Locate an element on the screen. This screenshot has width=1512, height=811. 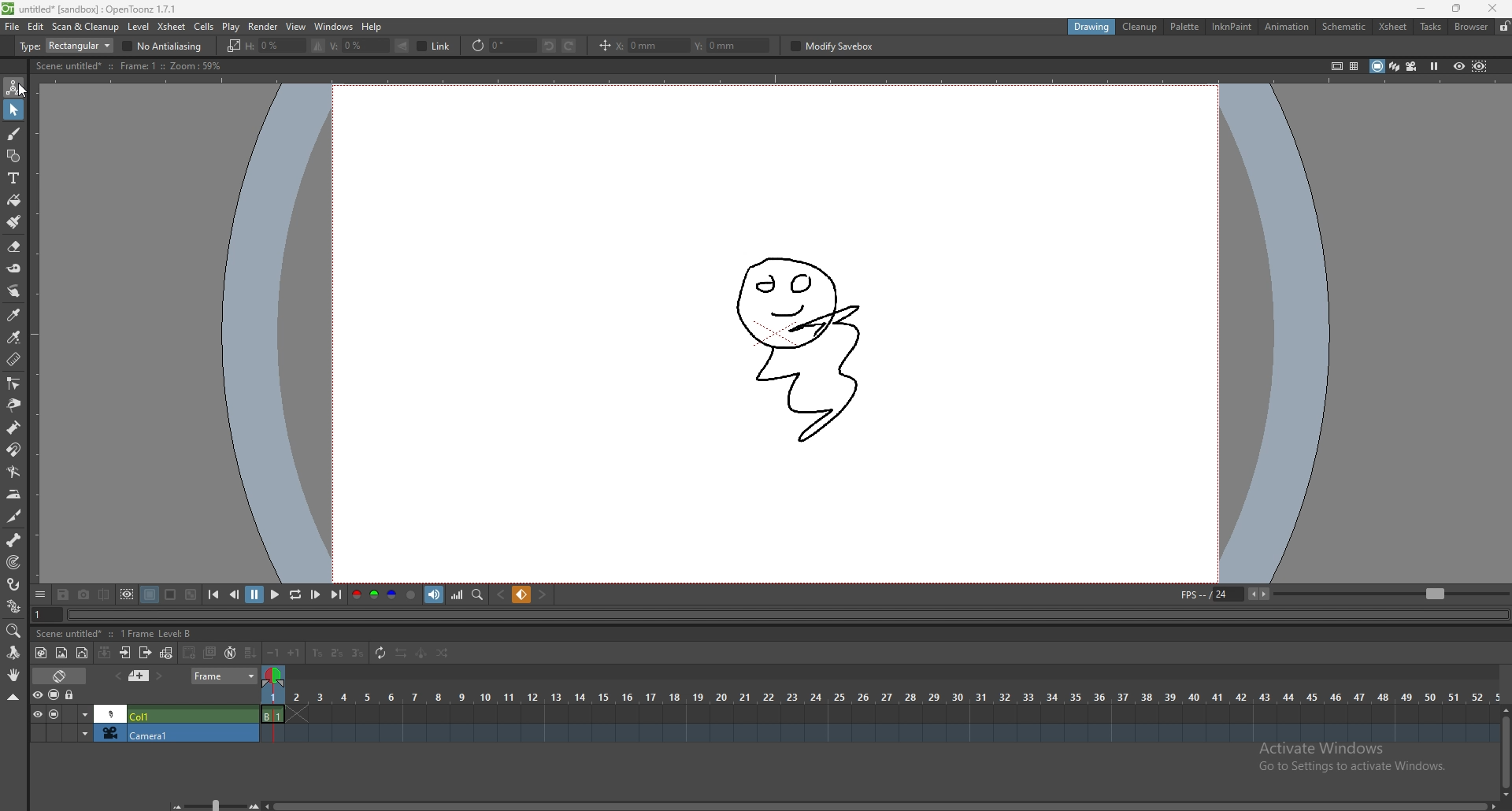
animate is located at coordinates (14, 87).